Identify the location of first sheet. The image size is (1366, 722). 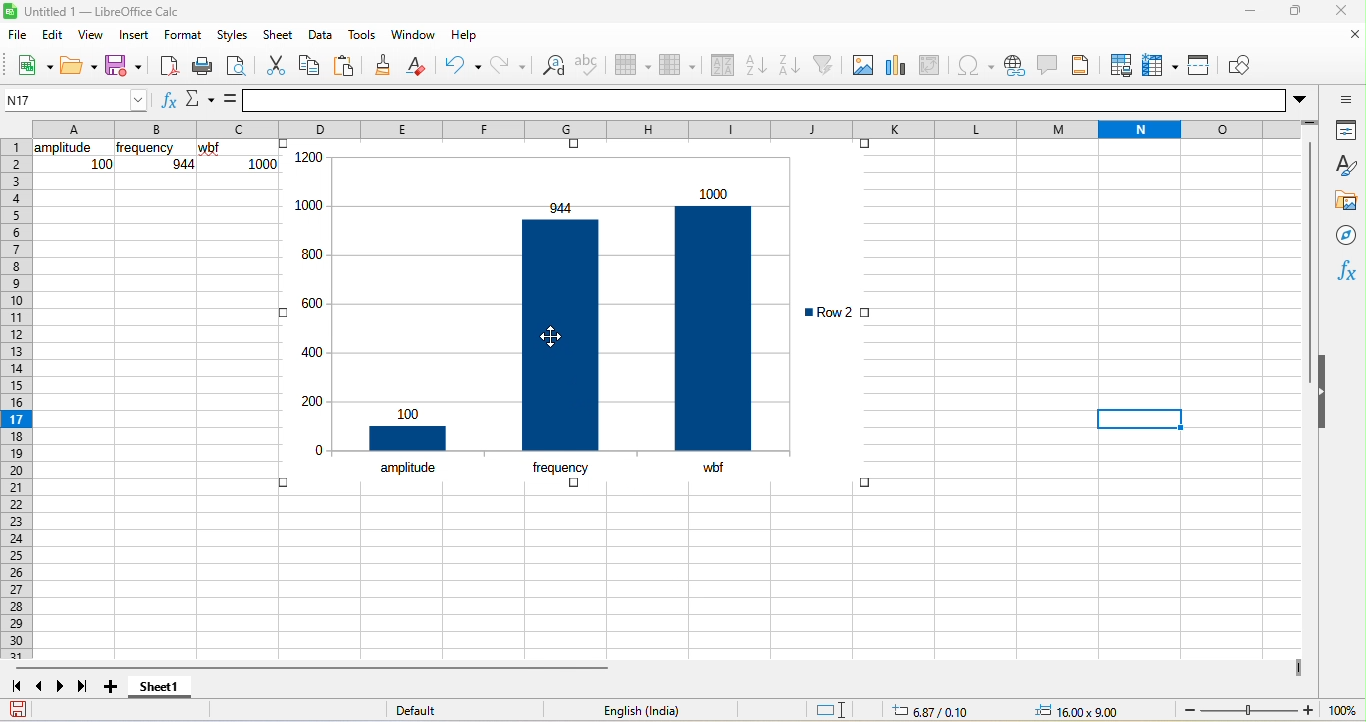
(17, 687).